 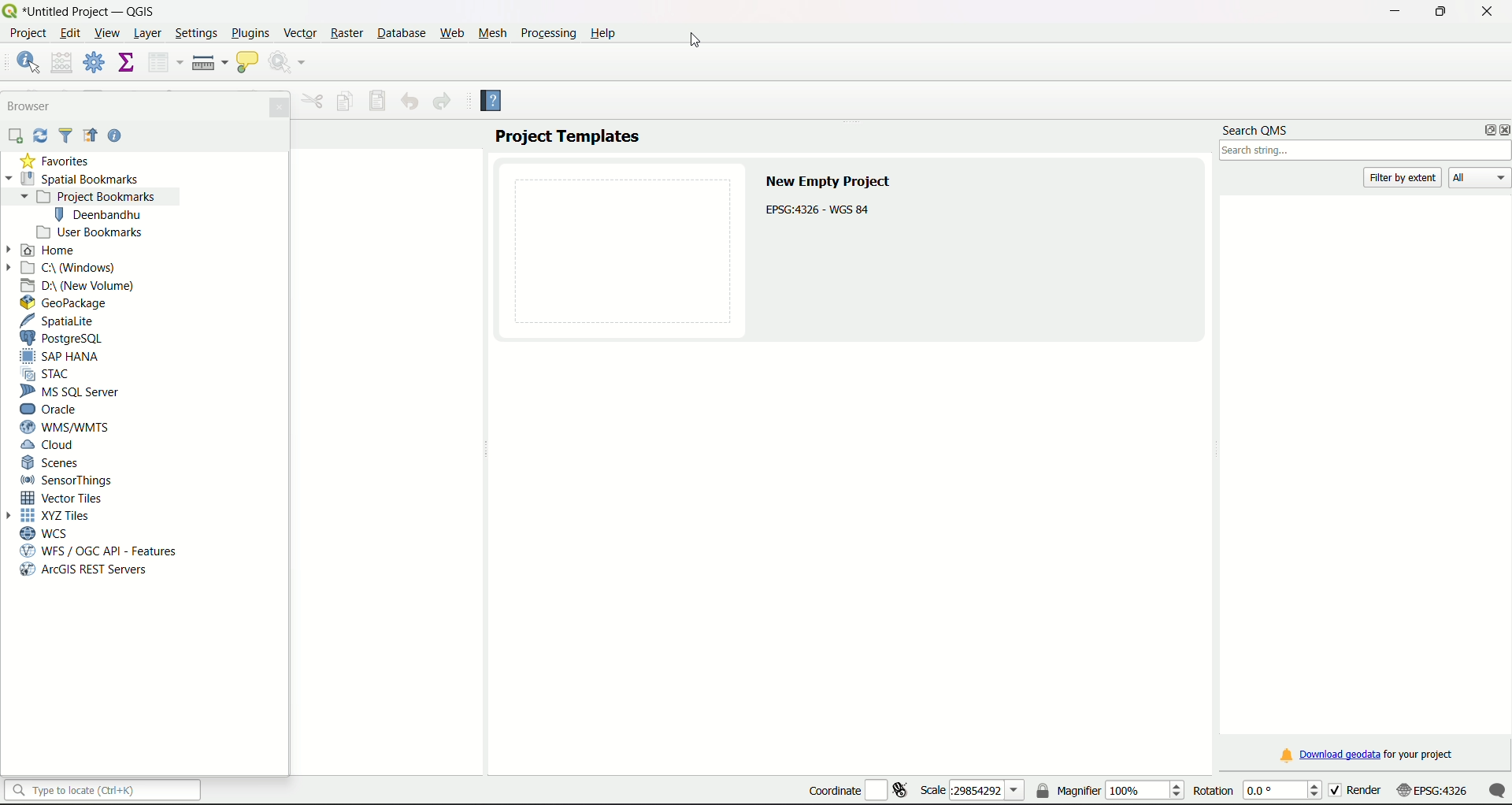 What do you see at coordinates (72, 336) in the screenshot?
I see `PostgreSQL` at bounding box center [72, 336].